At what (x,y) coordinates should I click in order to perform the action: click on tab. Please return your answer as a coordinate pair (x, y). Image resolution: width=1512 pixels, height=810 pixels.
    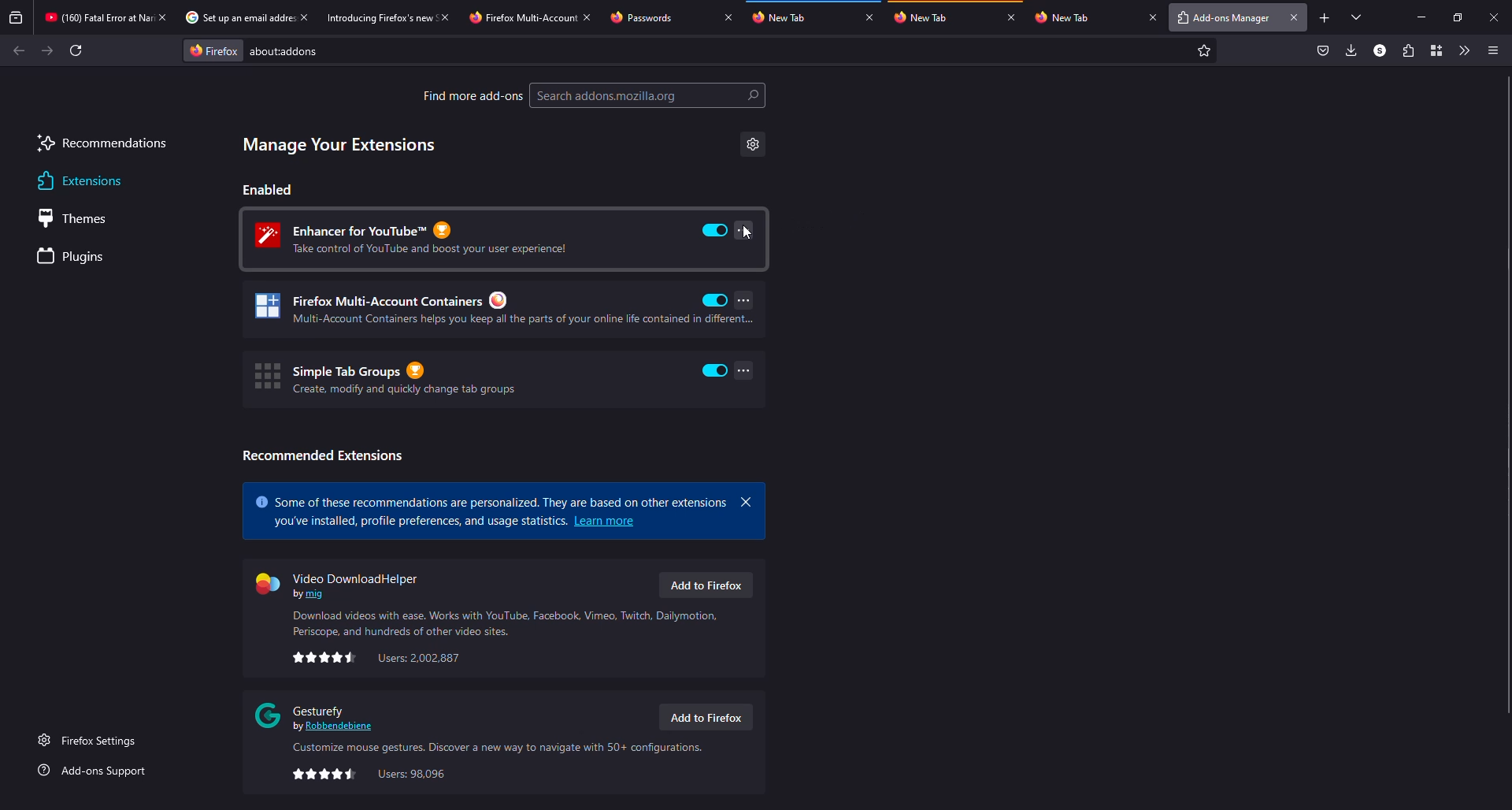
    Looking at the image, I should click on (927, 17).